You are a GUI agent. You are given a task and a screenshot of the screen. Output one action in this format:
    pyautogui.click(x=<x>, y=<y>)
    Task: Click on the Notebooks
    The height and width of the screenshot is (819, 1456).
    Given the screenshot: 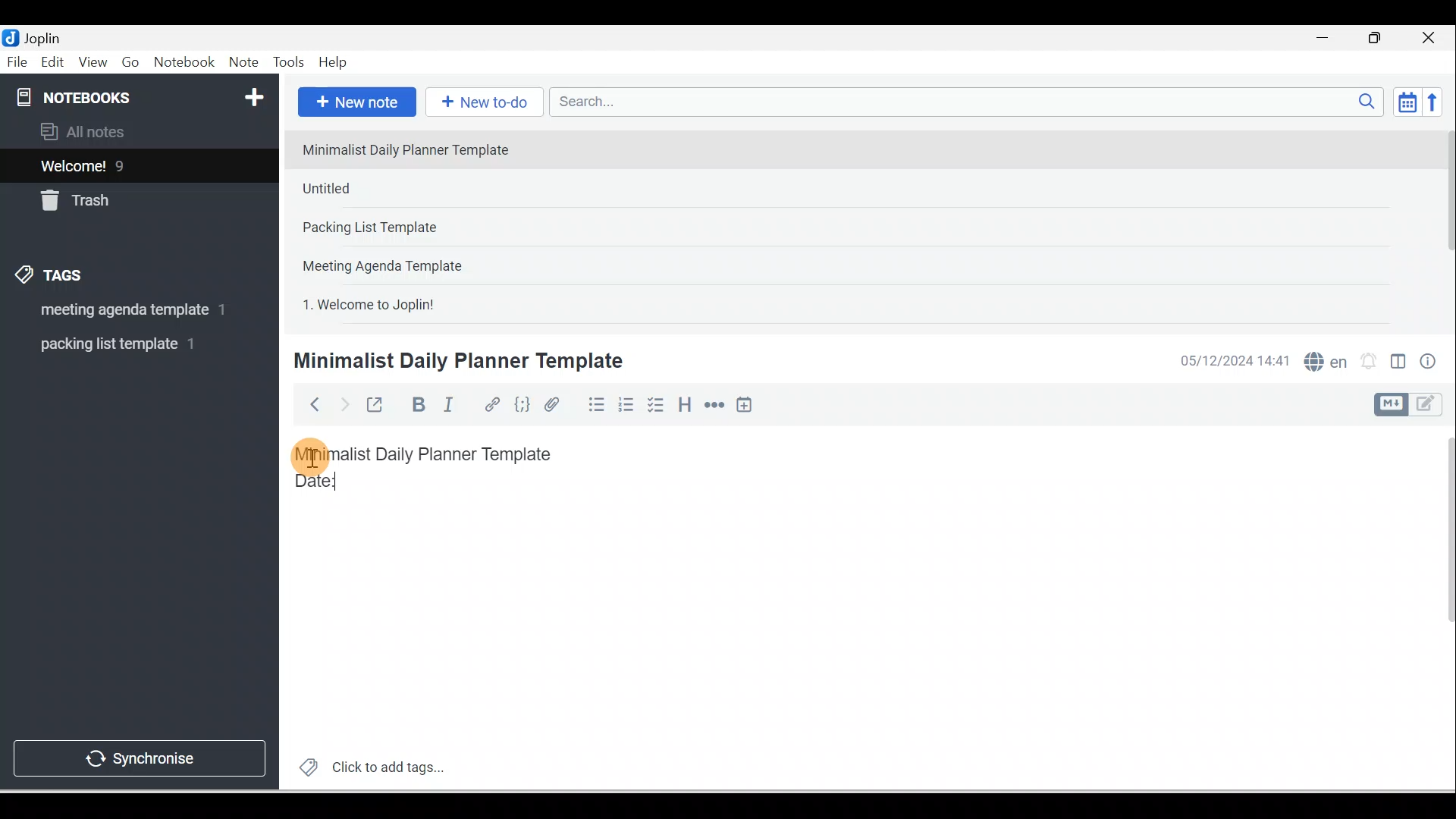 What is the action you would take?
    pyautogui.click(x=143, y=94)
    